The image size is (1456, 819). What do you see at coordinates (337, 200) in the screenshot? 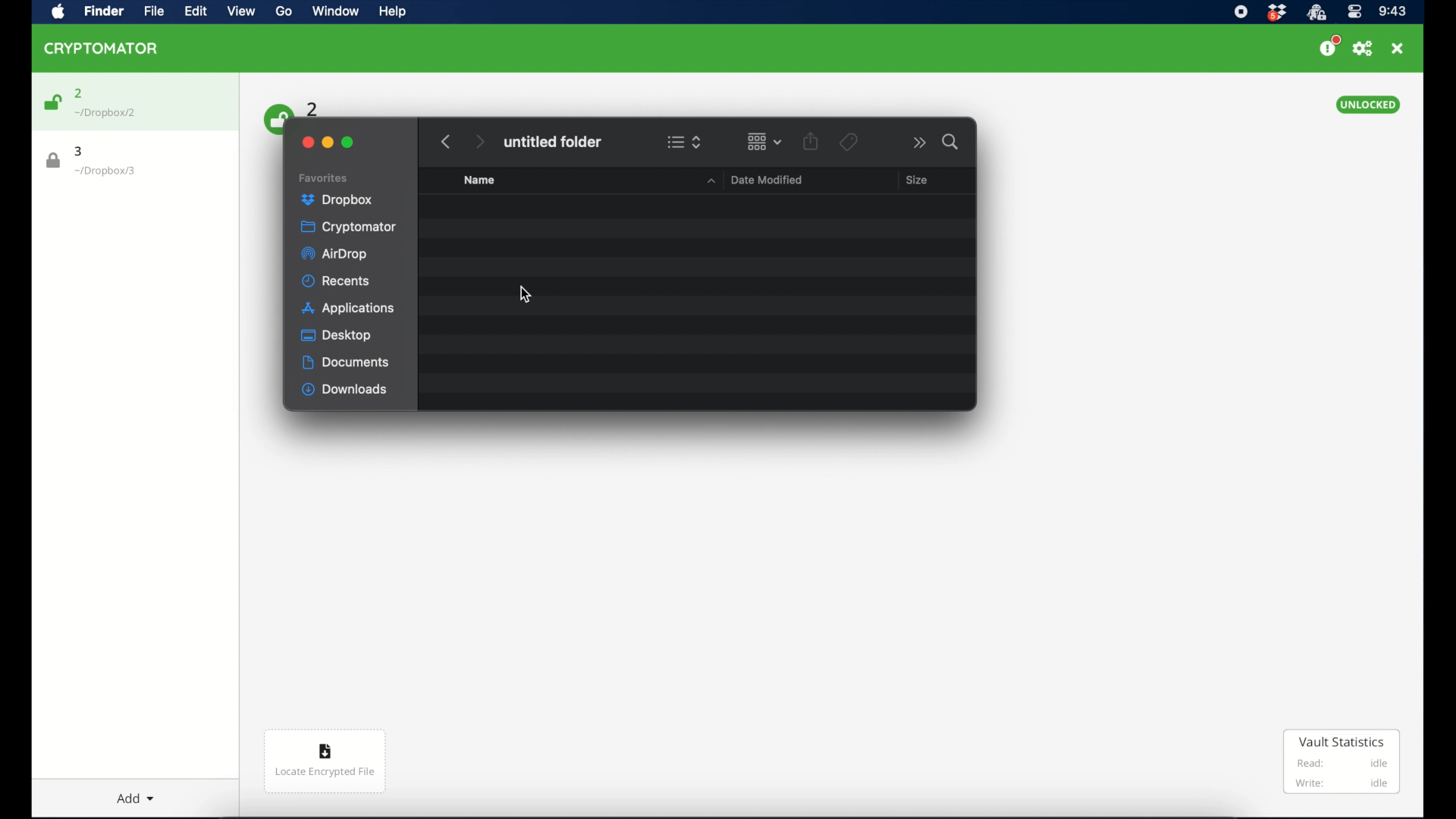
I see `dropbox` at bounding box center [337, 200].